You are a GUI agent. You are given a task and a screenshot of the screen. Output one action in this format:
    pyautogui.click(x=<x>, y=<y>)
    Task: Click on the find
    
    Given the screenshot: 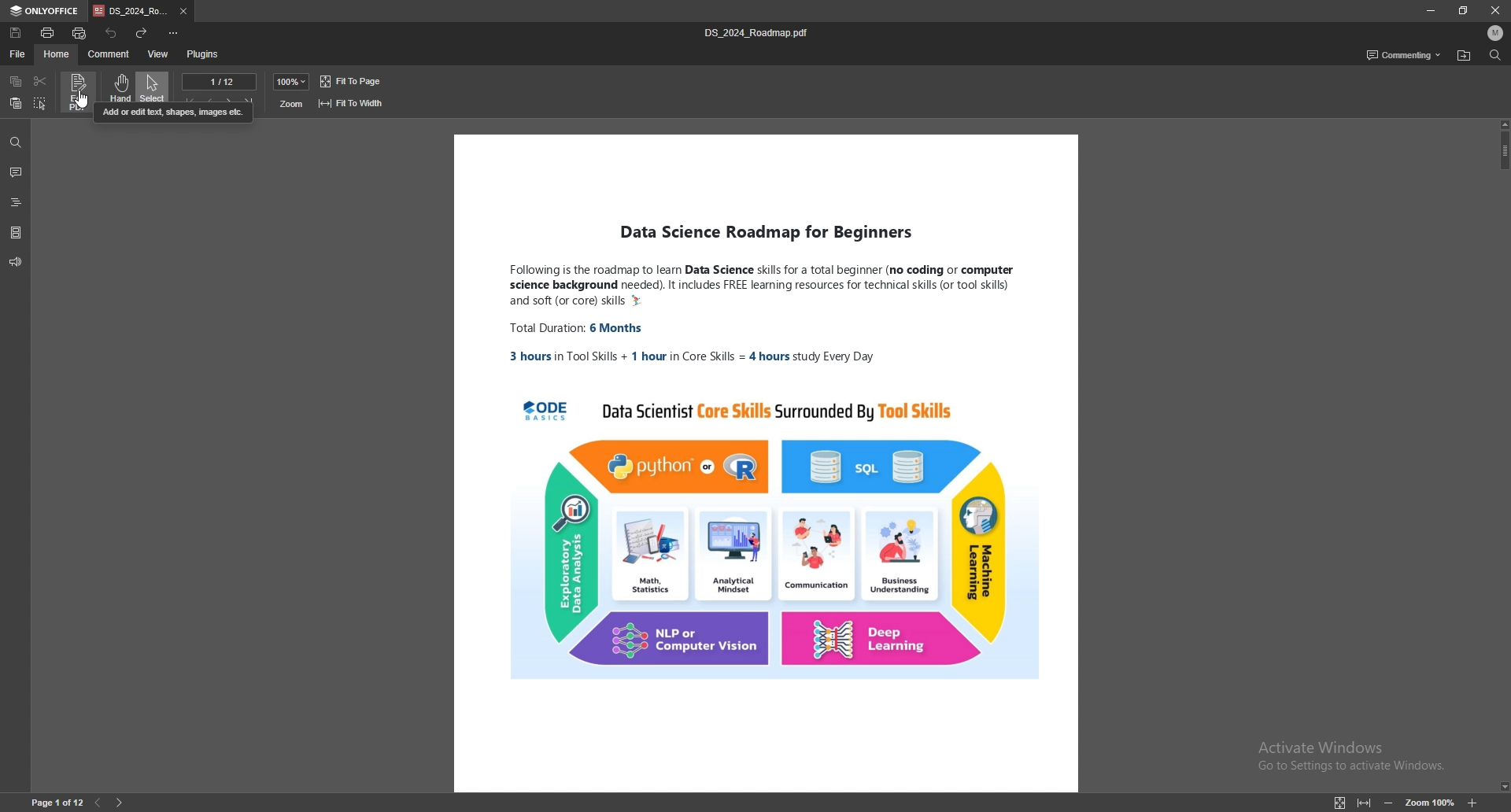 What is the action you would take?
    pyautogui.click(x=15, y=142)
    